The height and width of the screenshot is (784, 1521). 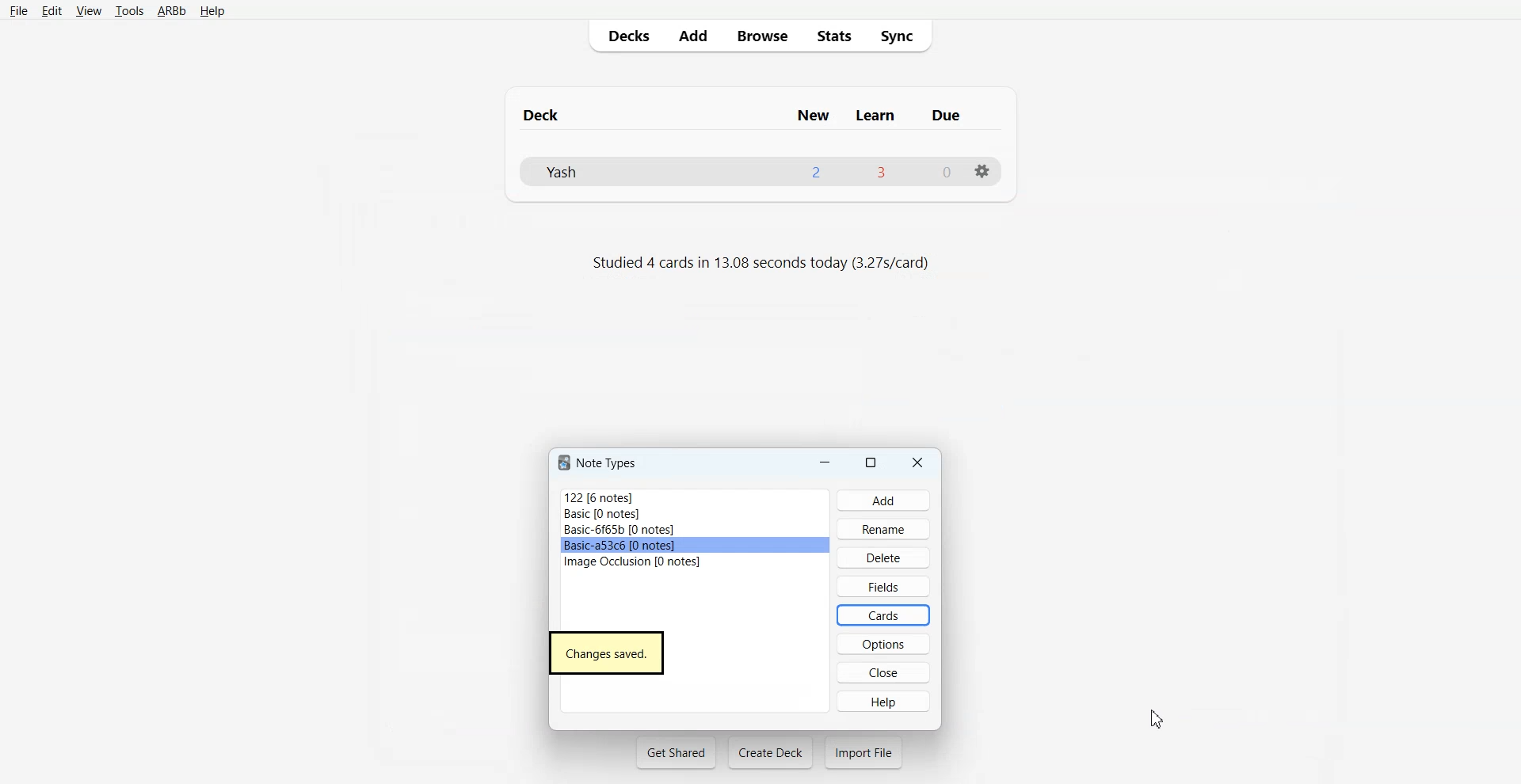 I want to click on Stats, so click(x=833, y=35).